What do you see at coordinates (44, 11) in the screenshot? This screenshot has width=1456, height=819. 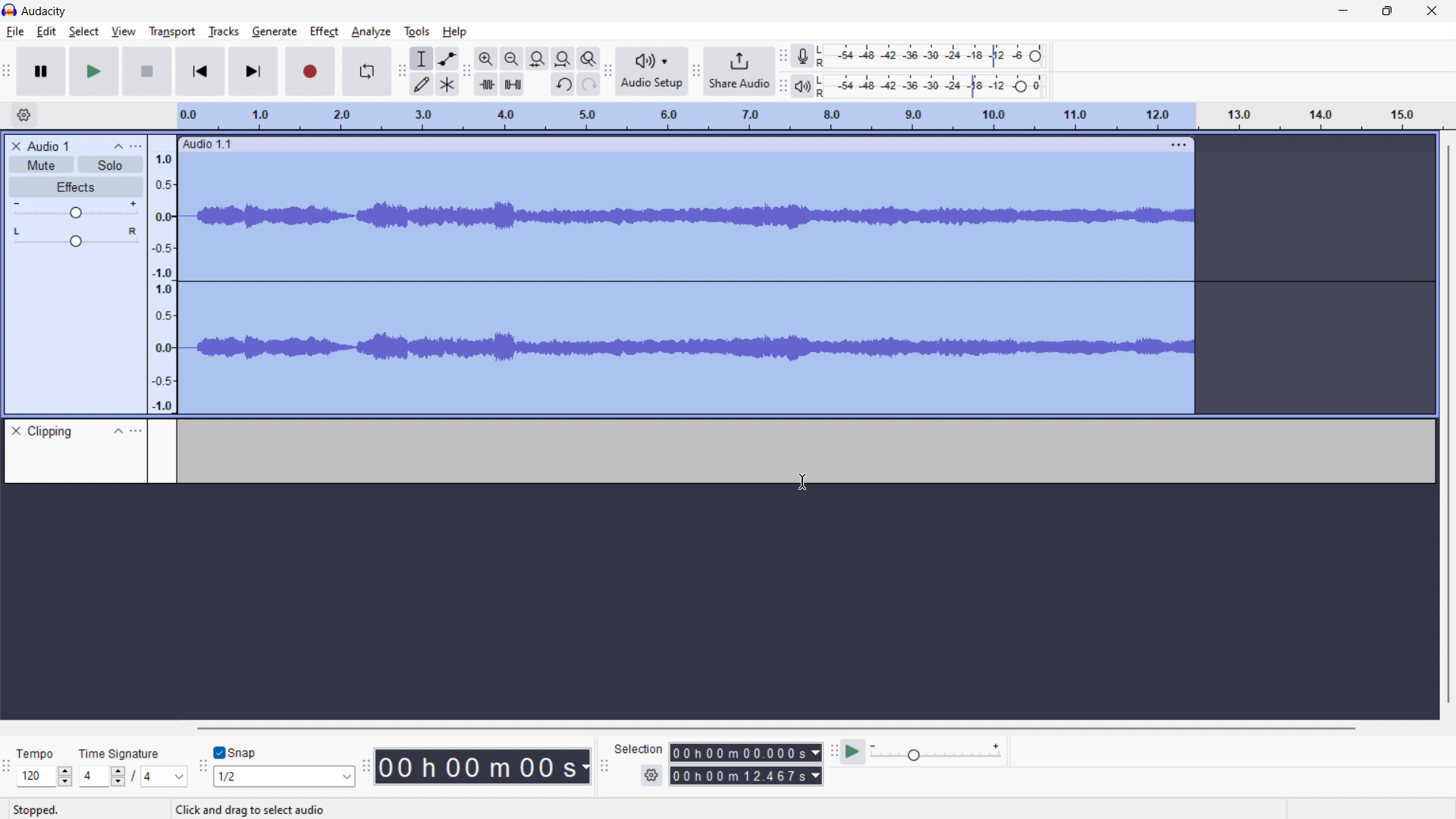 I see `logo` at bounding box center [44, 11].